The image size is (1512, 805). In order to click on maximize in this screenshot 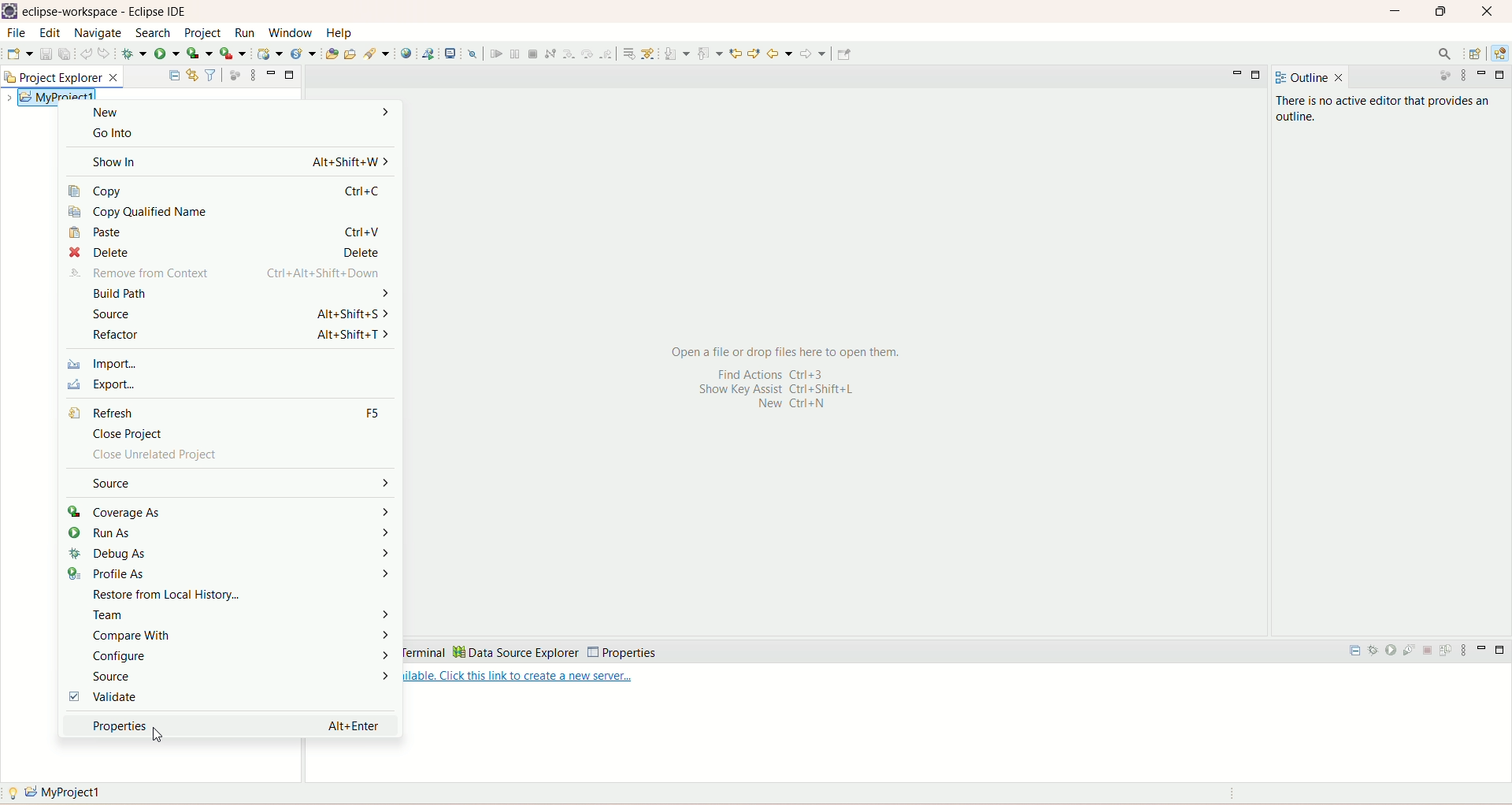, I will do `click(1440, 13)`.